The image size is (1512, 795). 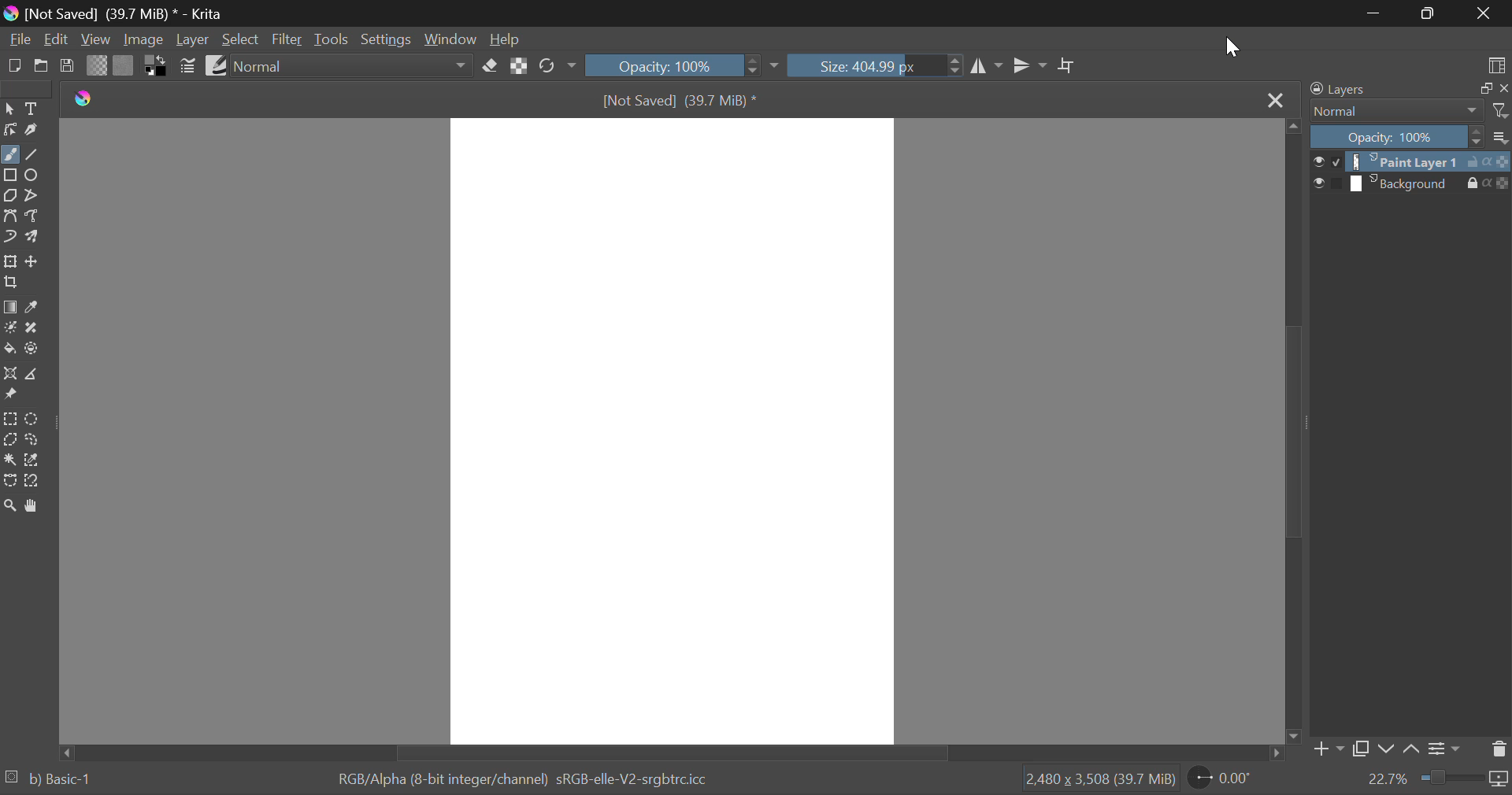 I want to click on Layer Settings, so click(x=1446, y=749).